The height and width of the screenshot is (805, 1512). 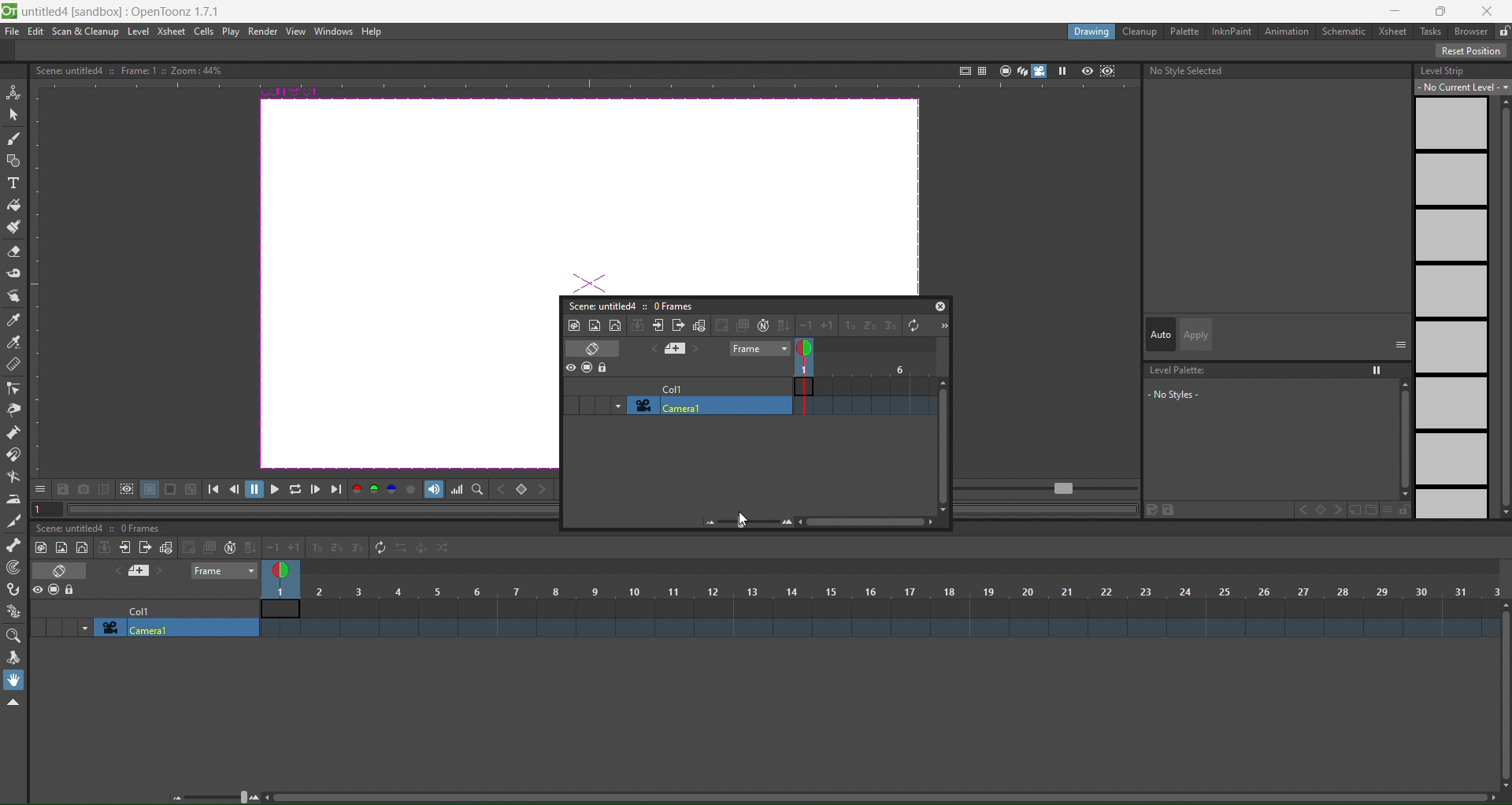 I want to click on playback options, so click(x=276, y=492).